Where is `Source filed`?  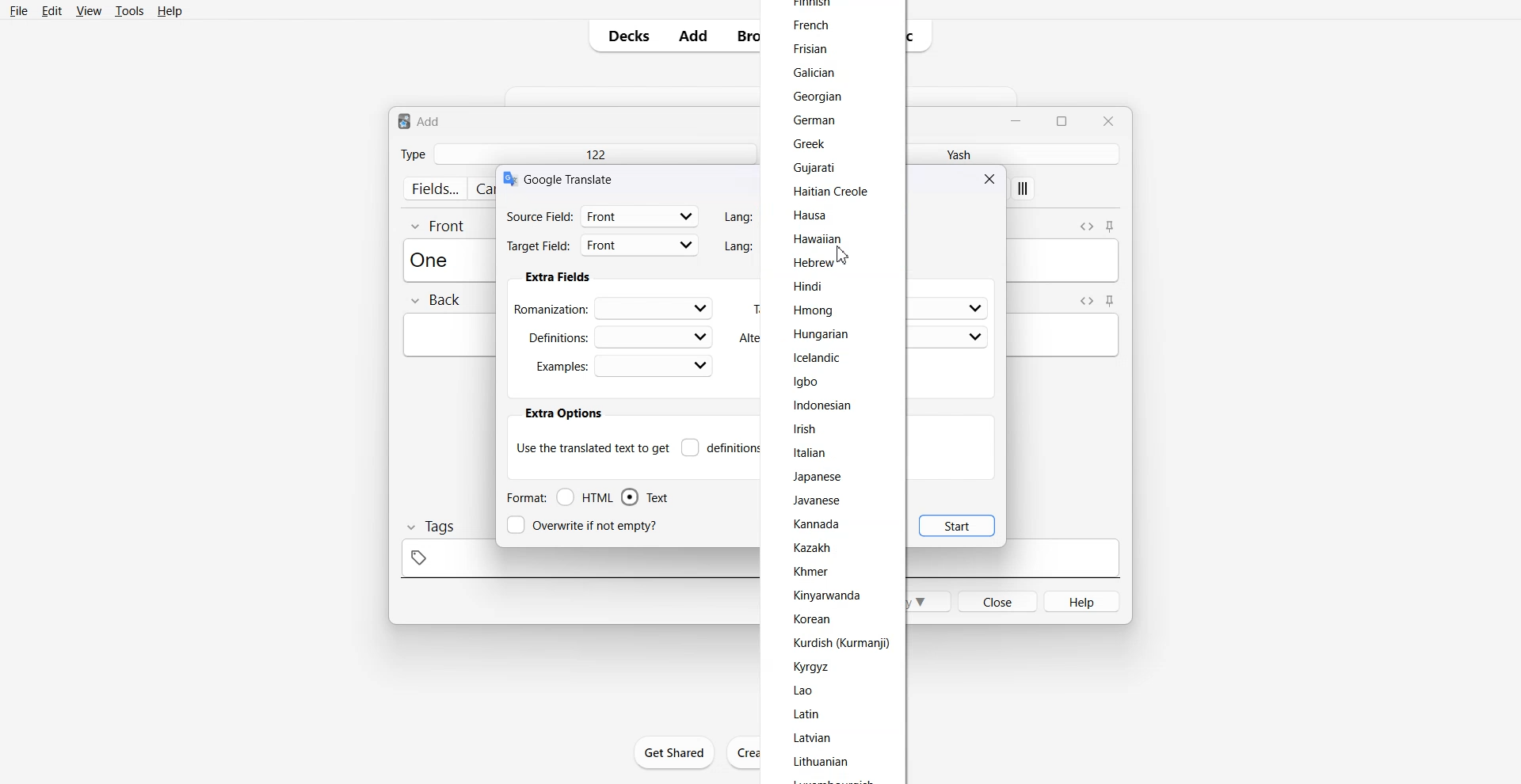
Source filed is located at coordinates (603, 215).